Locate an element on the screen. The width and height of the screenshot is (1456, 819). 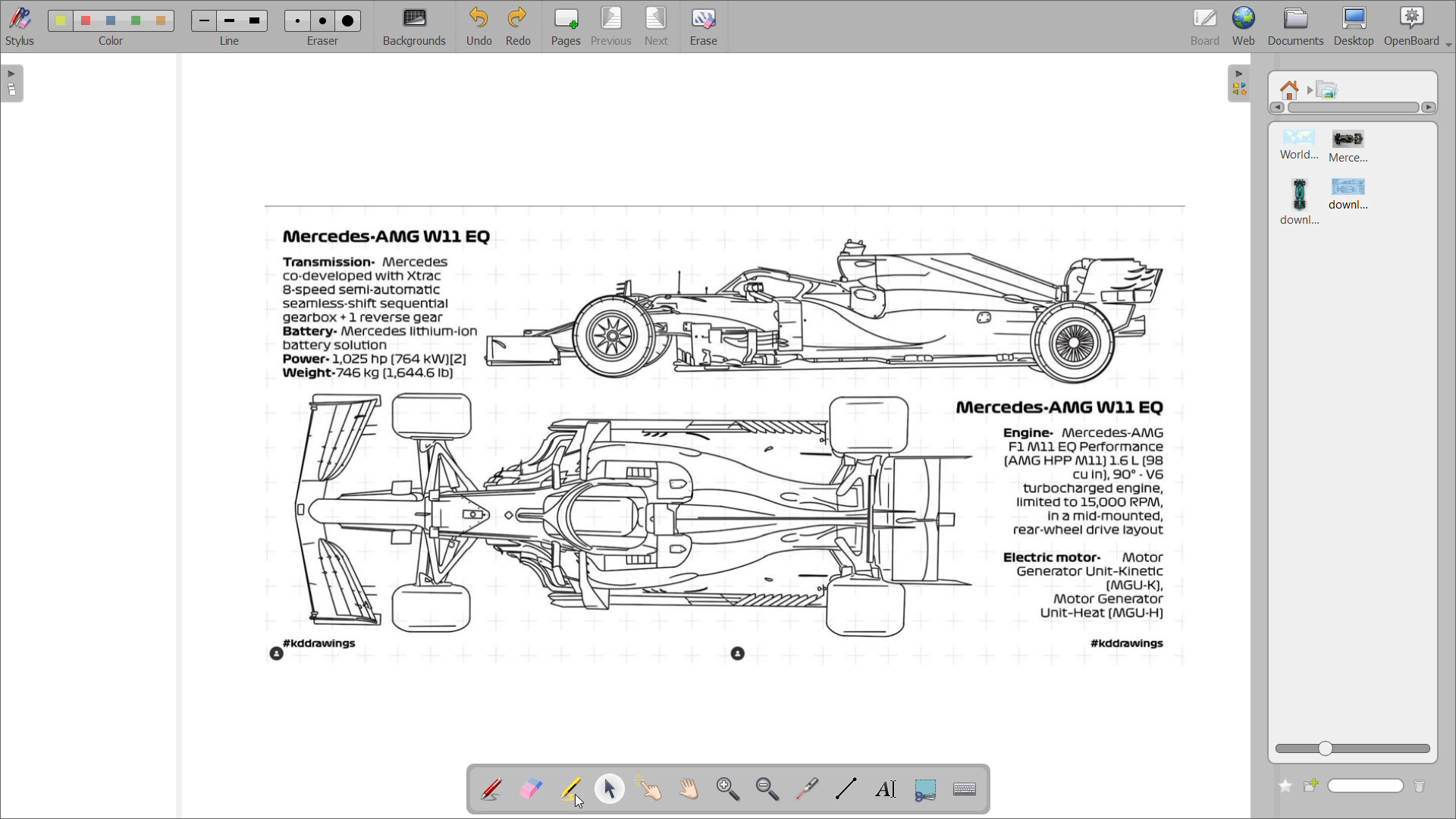
line is located at coordinates (230, 40).